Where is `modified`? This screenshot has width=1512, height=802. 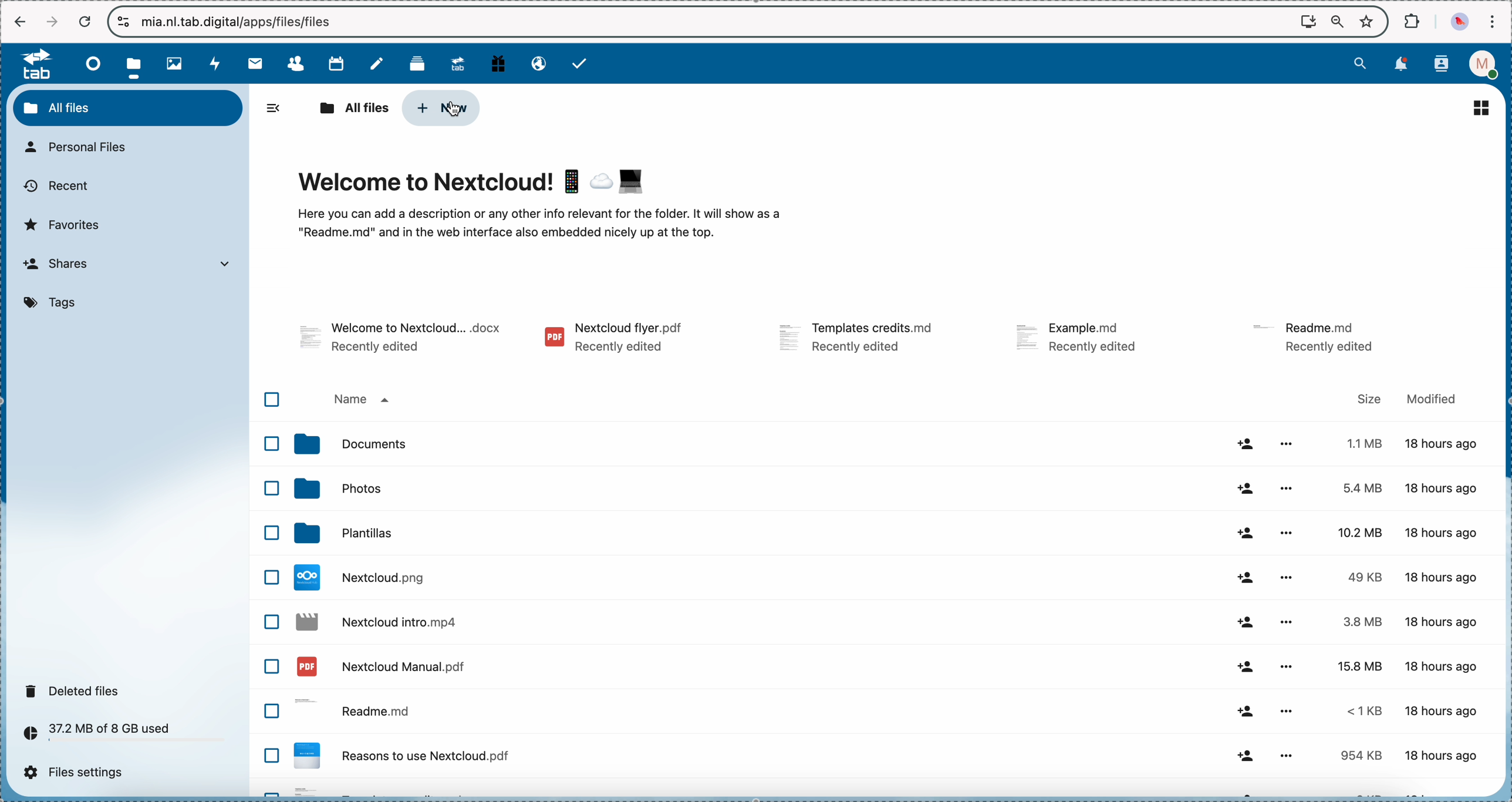 modified is located at coordinates (1429, 399).